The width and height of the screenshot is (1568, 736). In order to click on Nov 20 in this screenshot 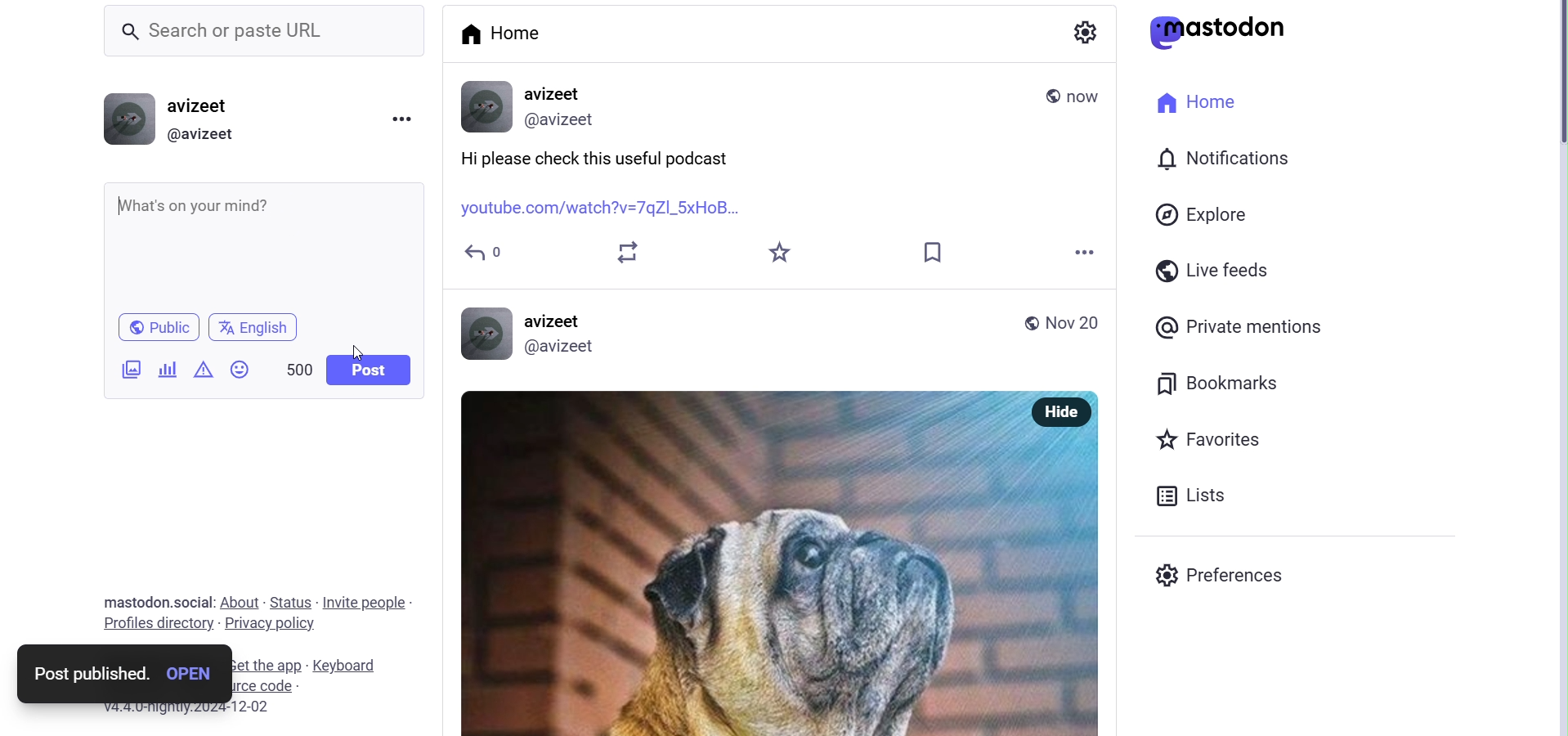, I will do `click(1072, 320)`.